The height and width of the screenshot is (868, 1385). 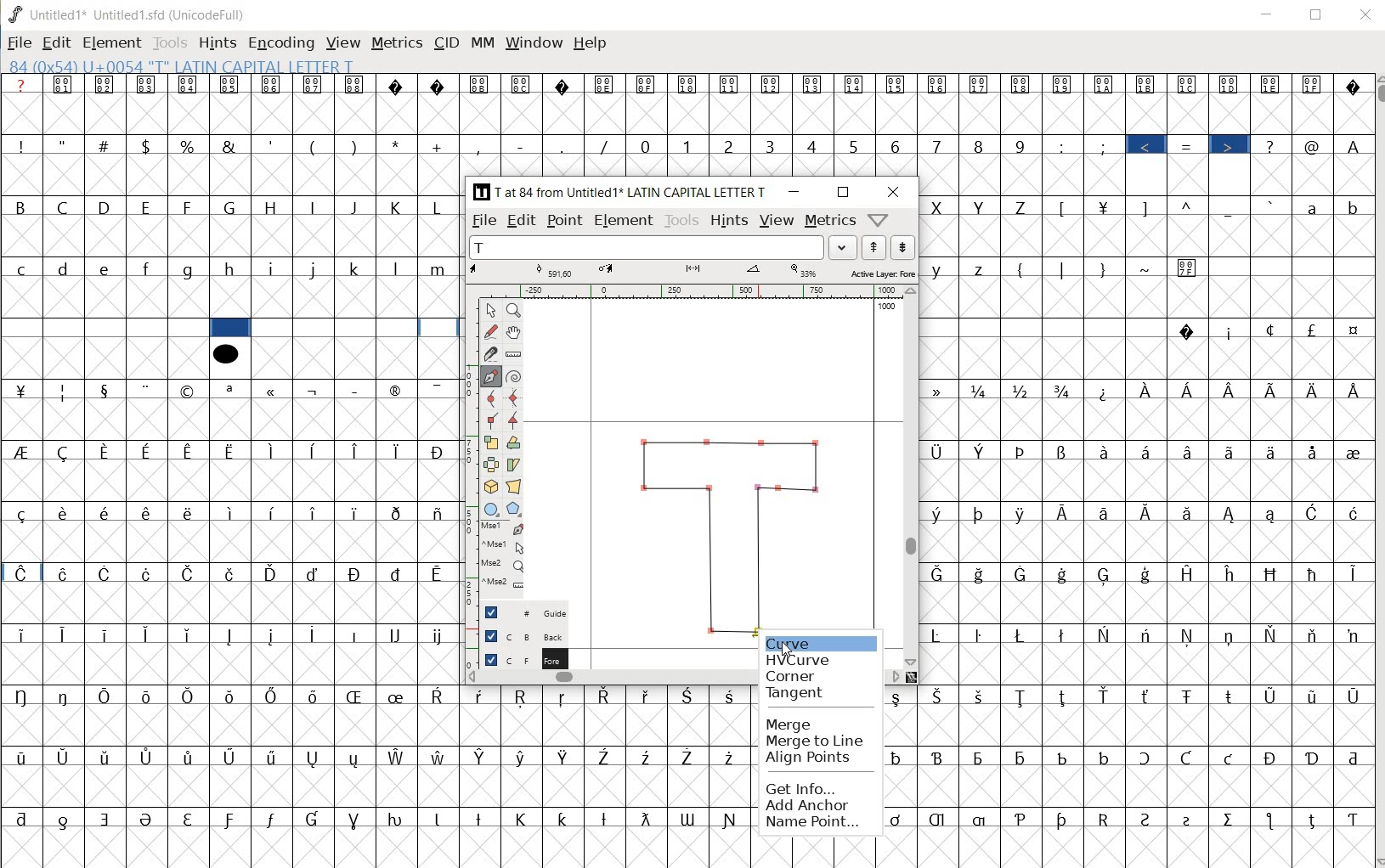 I want to click on _, so click(x=1230, y=208).